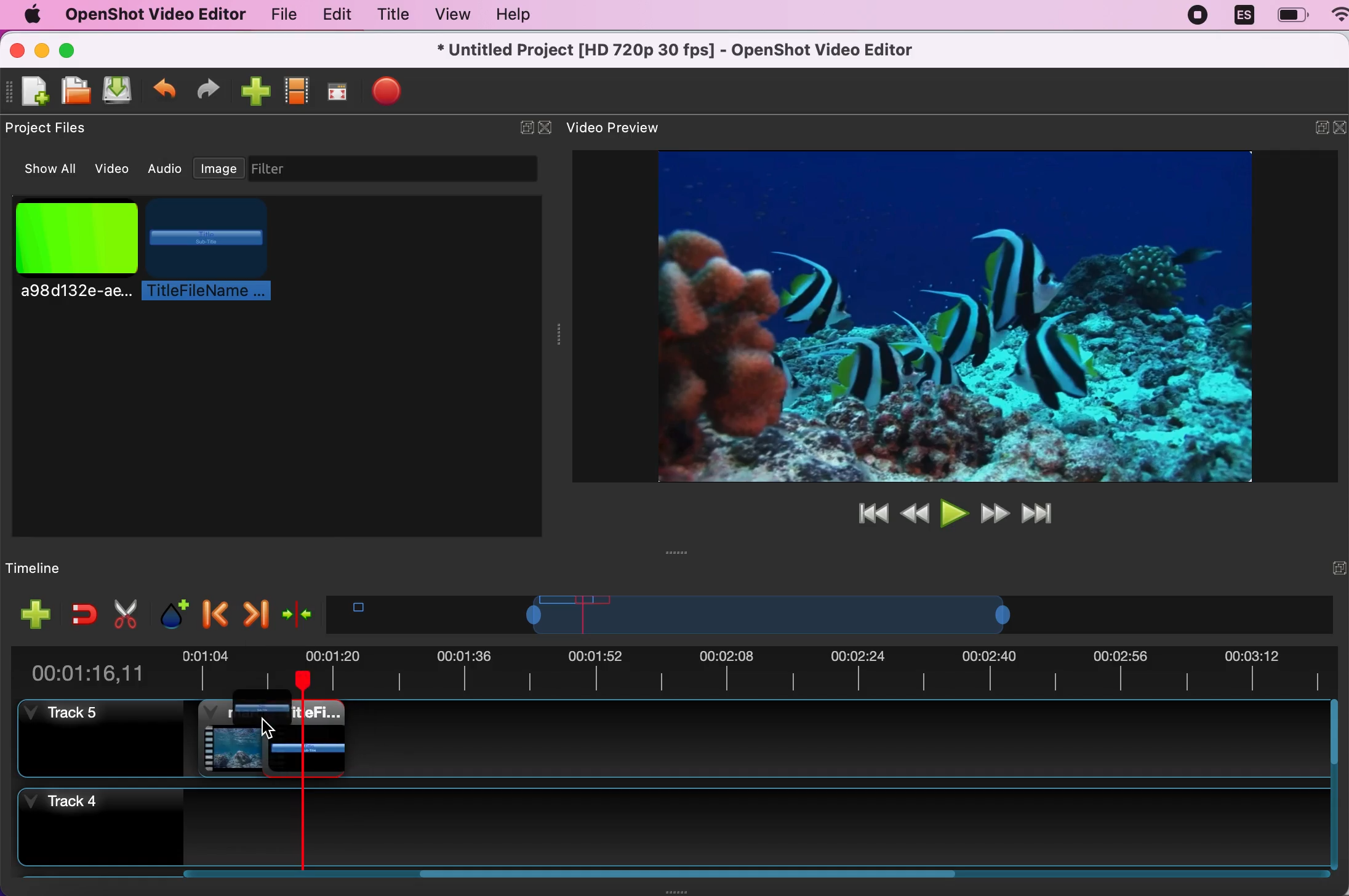  Describe the element at coordinates (33, 614) in the screenshot. I see `add track` at that location.